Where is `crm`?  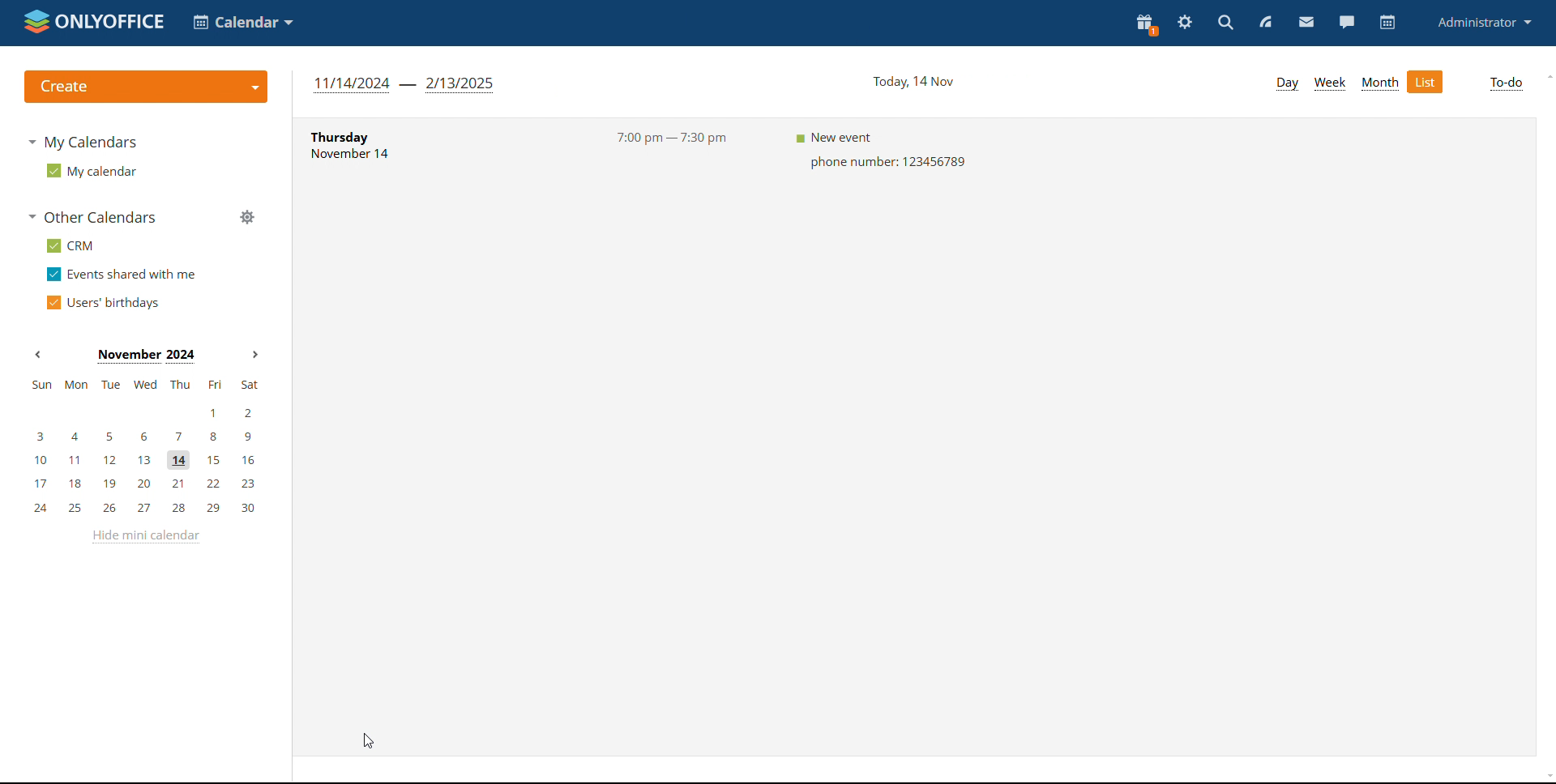 crm is located at coordinates (68, 245).